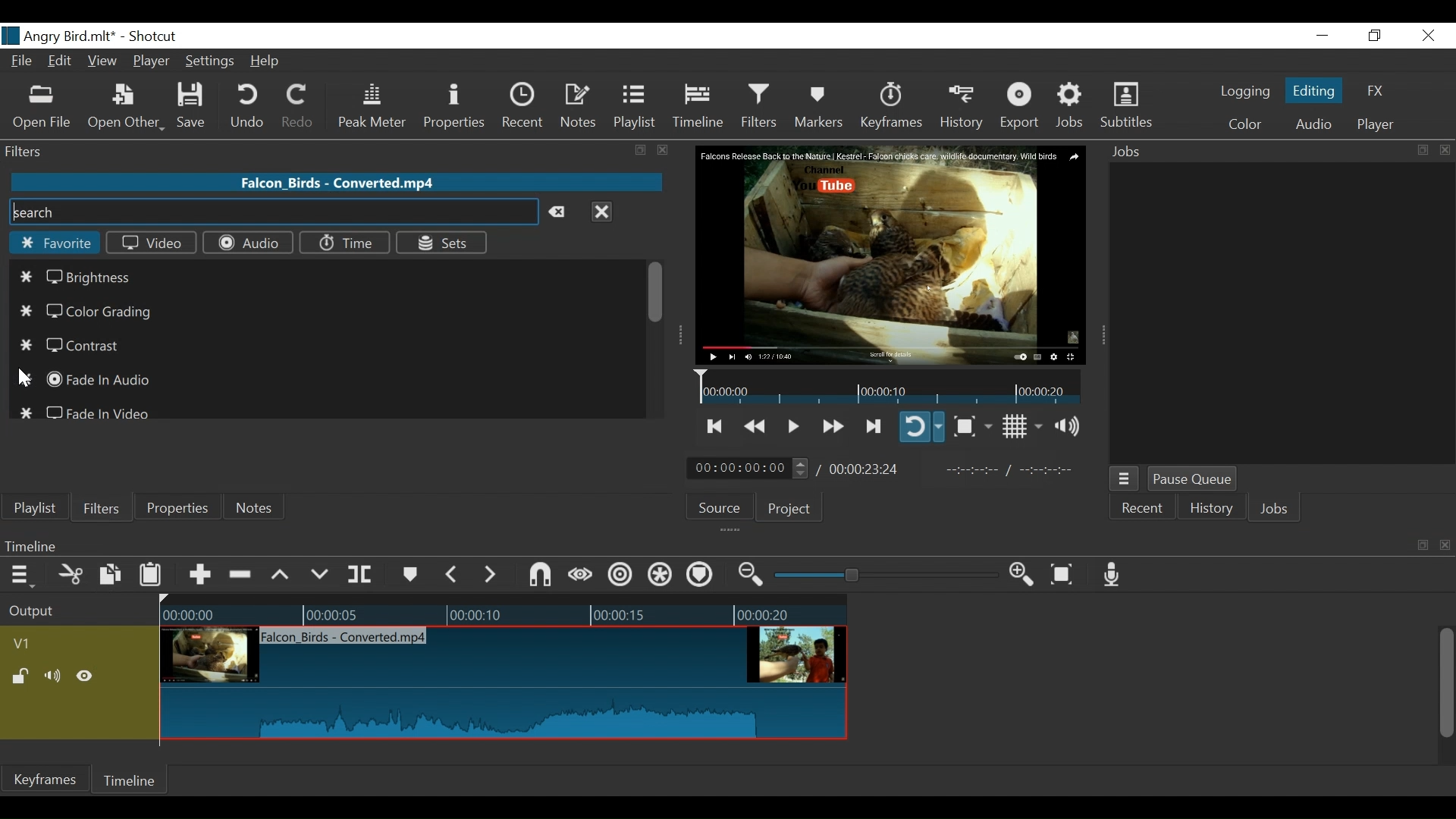 Image resolution: width=1456 pixels, height=819 pixels. What do you see at coordinates (85, 679) in the screenshot?
I see `Hide` at bounding box center [85, 679].